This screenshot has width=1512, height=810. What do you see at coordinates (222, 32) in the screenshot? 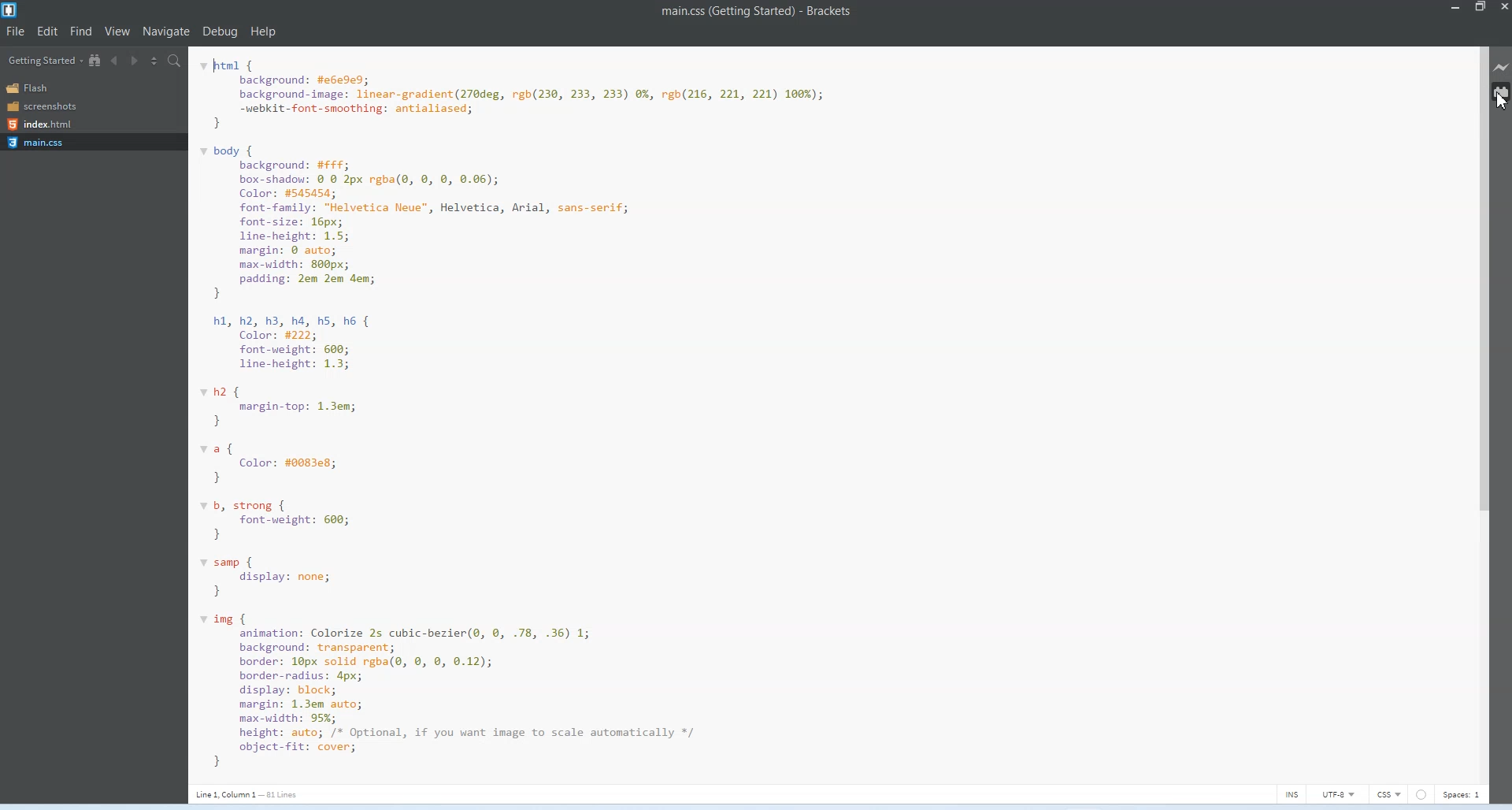
I see `Debug` at bounding box center [222, 32].